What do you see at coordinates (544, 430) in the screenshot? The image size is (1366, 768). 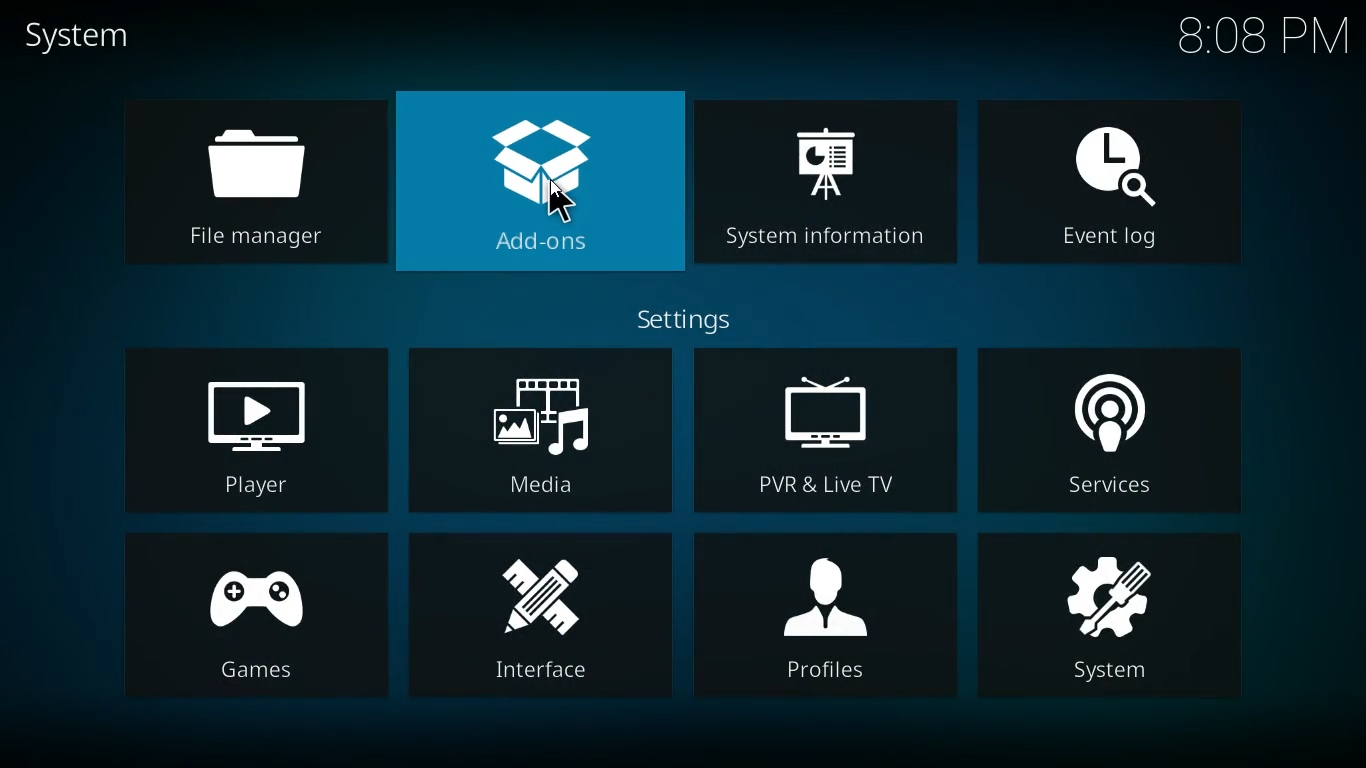 I see `media` at bounding box center [544, 430].